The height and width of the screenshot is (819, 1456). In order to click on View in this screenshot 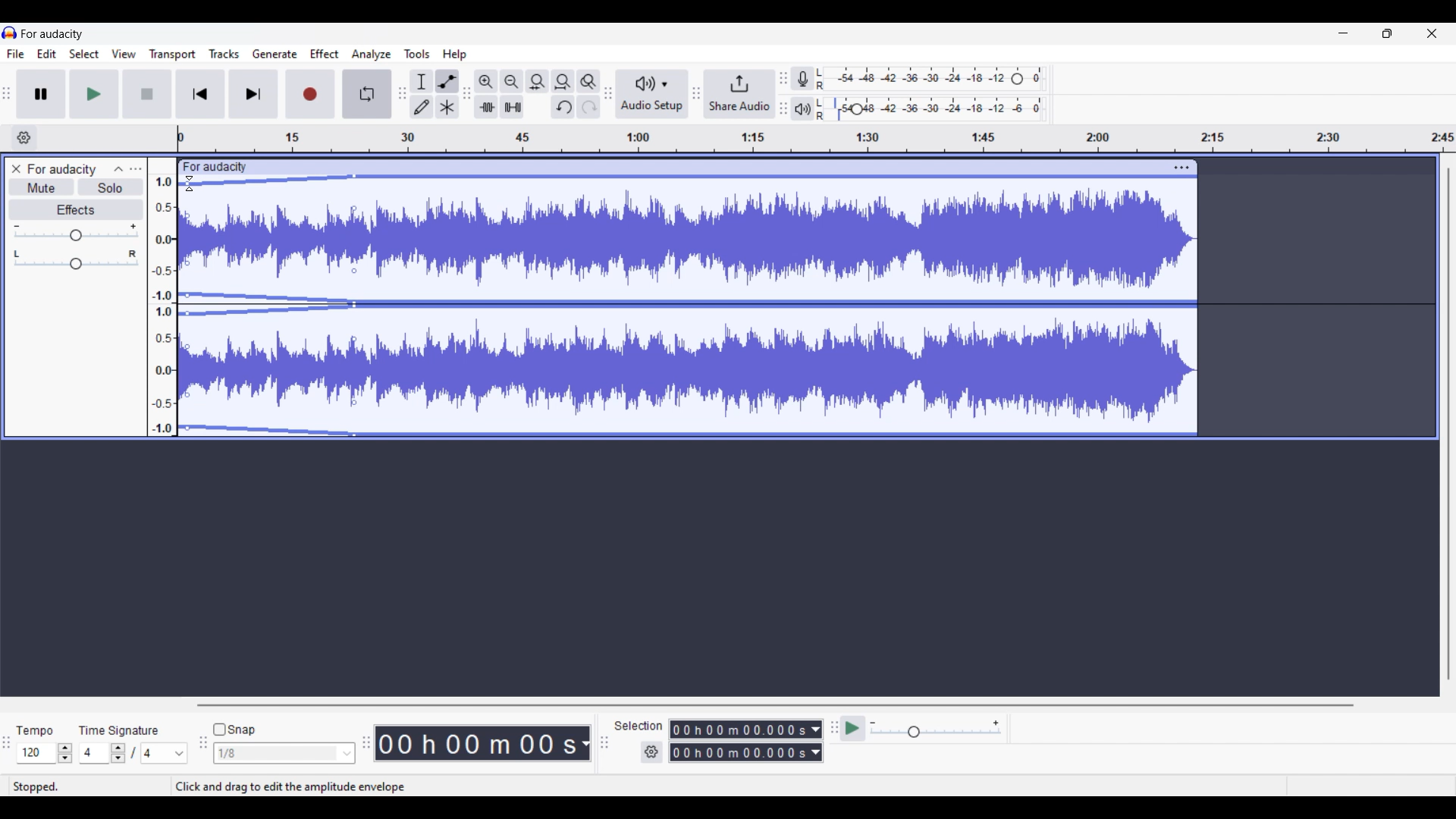, I will do `click(124, 54)`.